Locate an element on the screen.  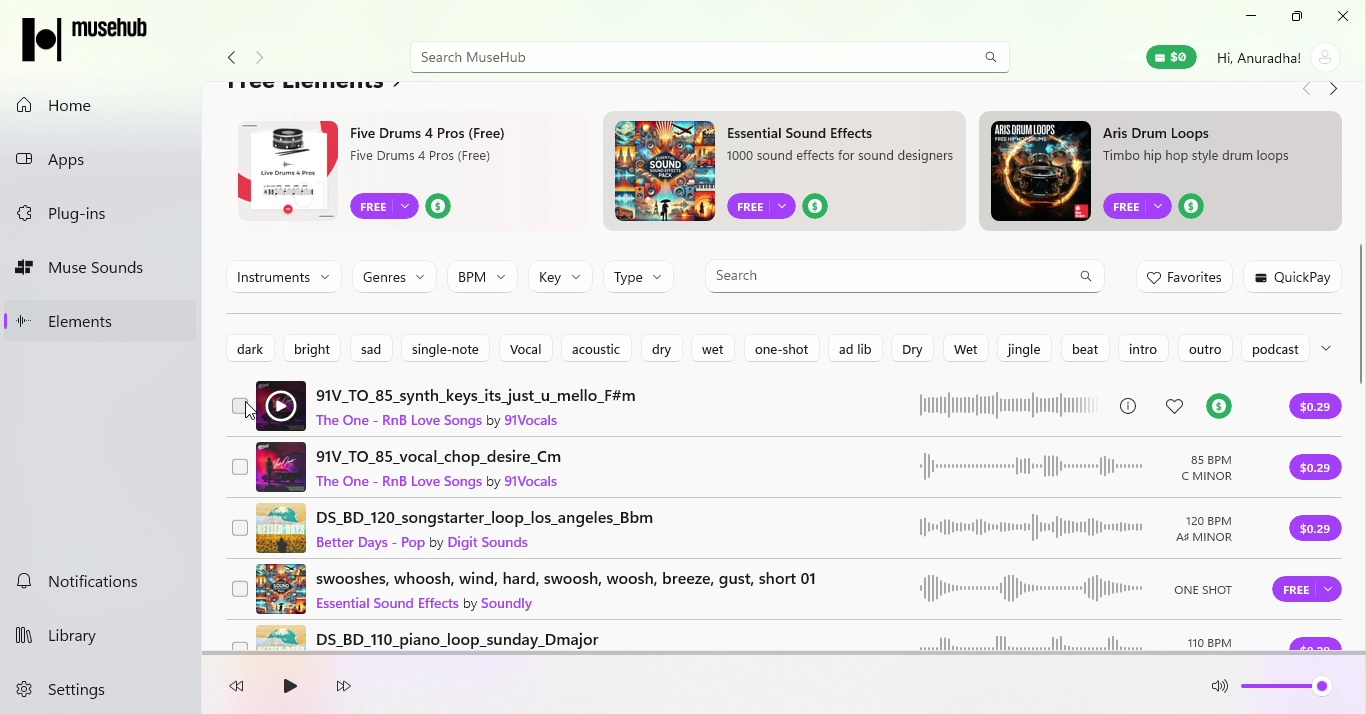
Elements is located at coordinates (102, 320).